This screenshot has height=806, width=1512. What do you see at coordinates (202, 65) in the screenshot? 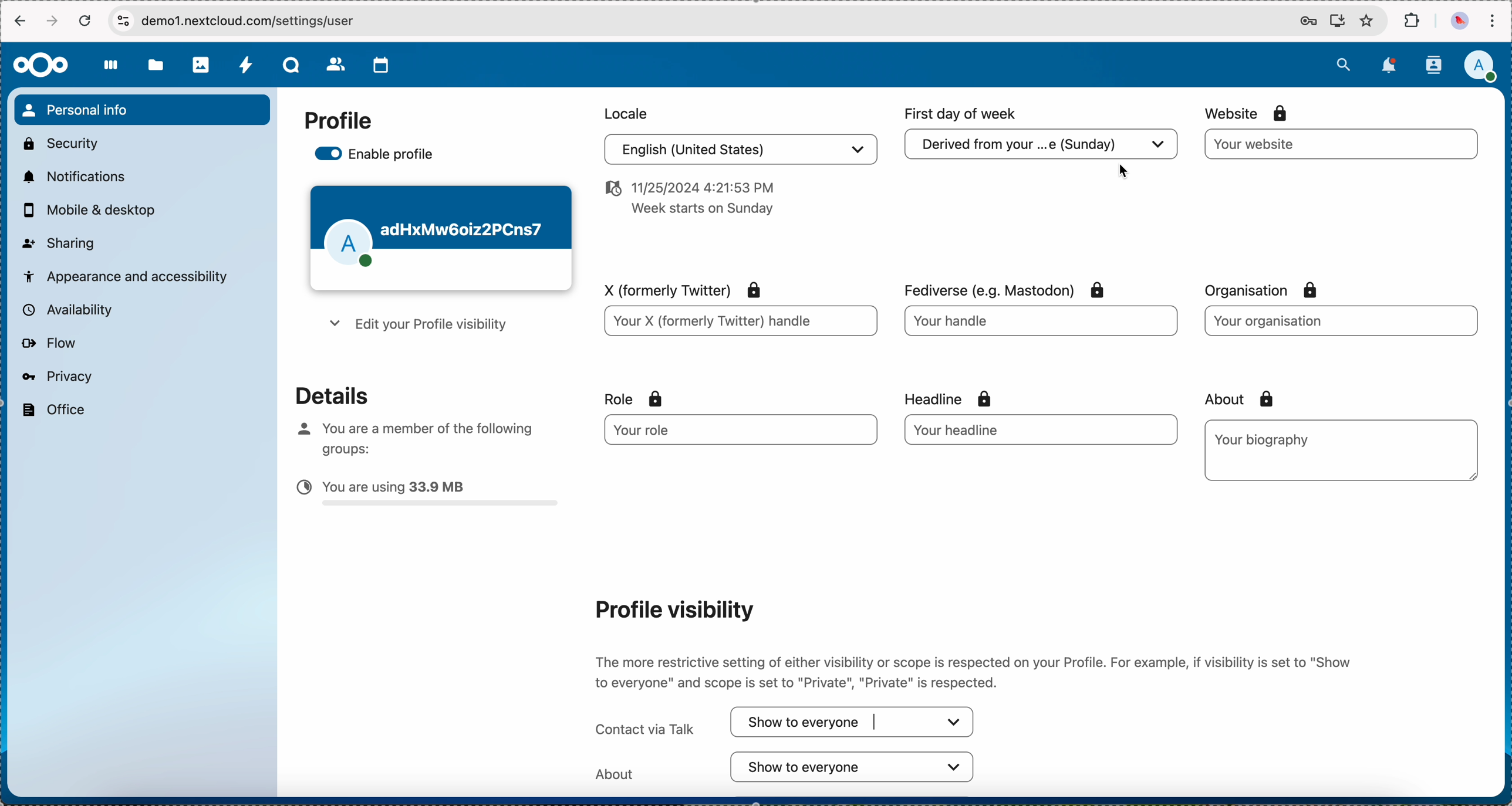
I see `photos` at bounding box center [202, 65].